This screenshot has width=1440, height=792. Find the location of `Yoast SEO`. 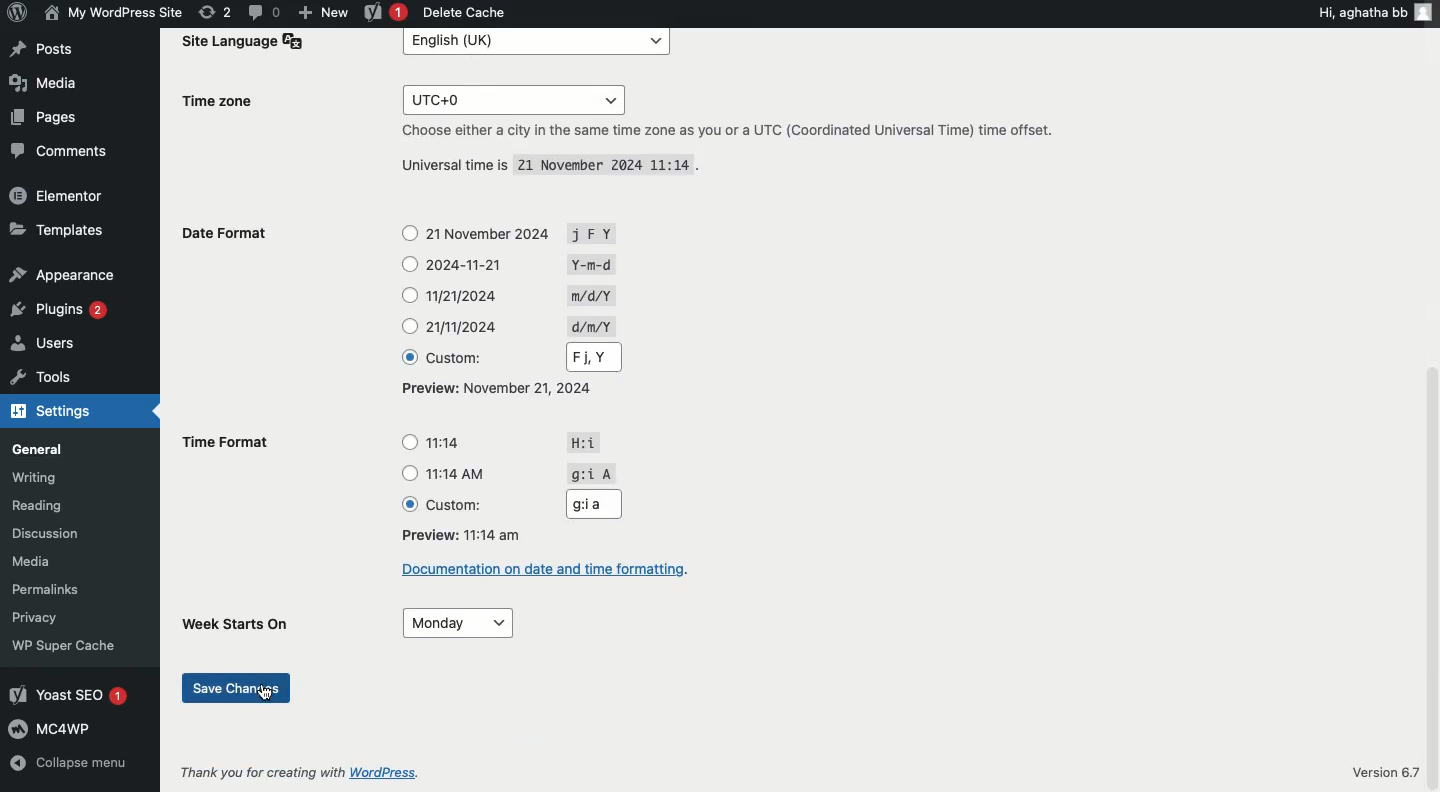

Yoast SEO is located at coordinates (66, 696).